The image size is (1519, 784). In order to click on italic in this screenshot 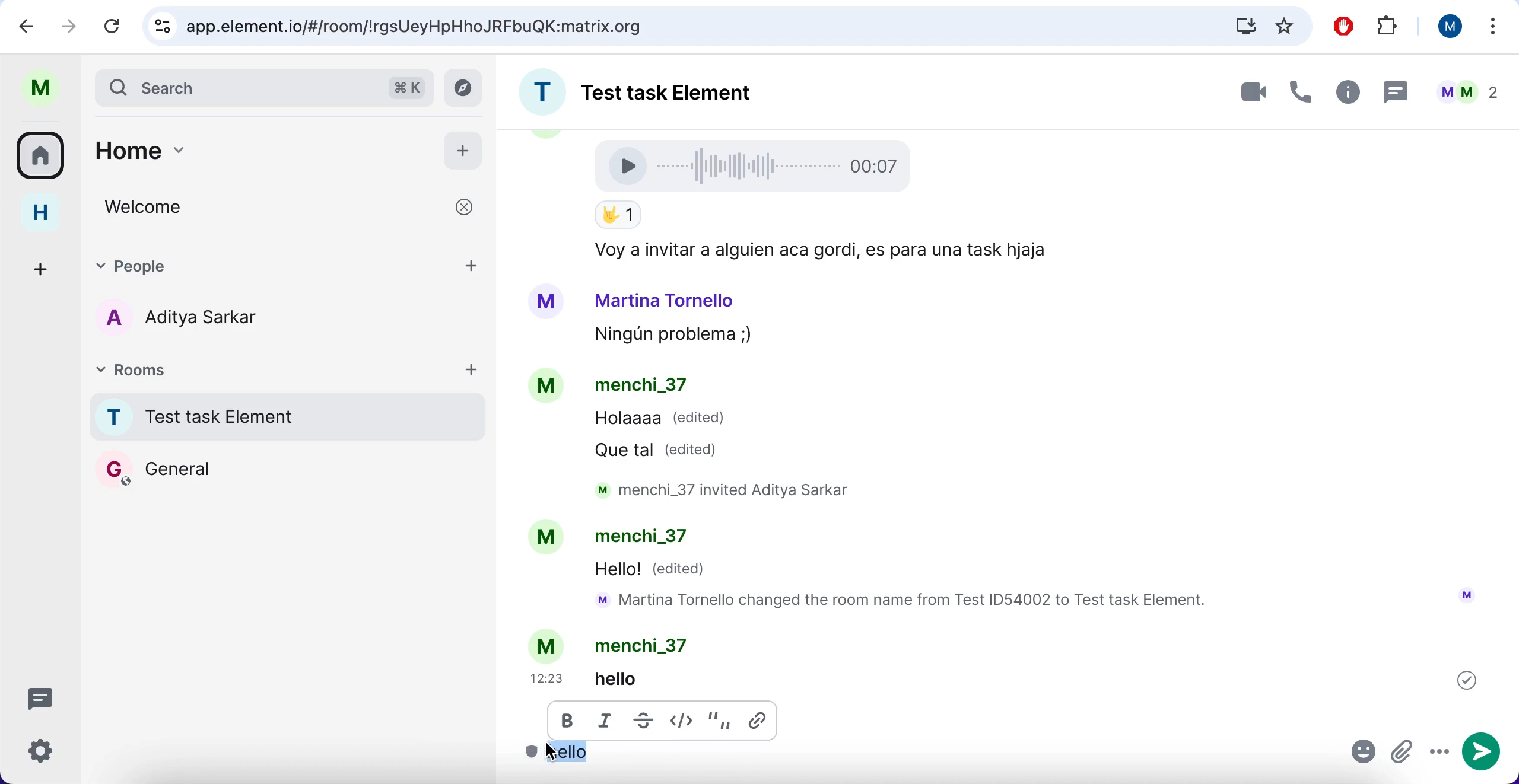, I will do `click(609, 723)`.